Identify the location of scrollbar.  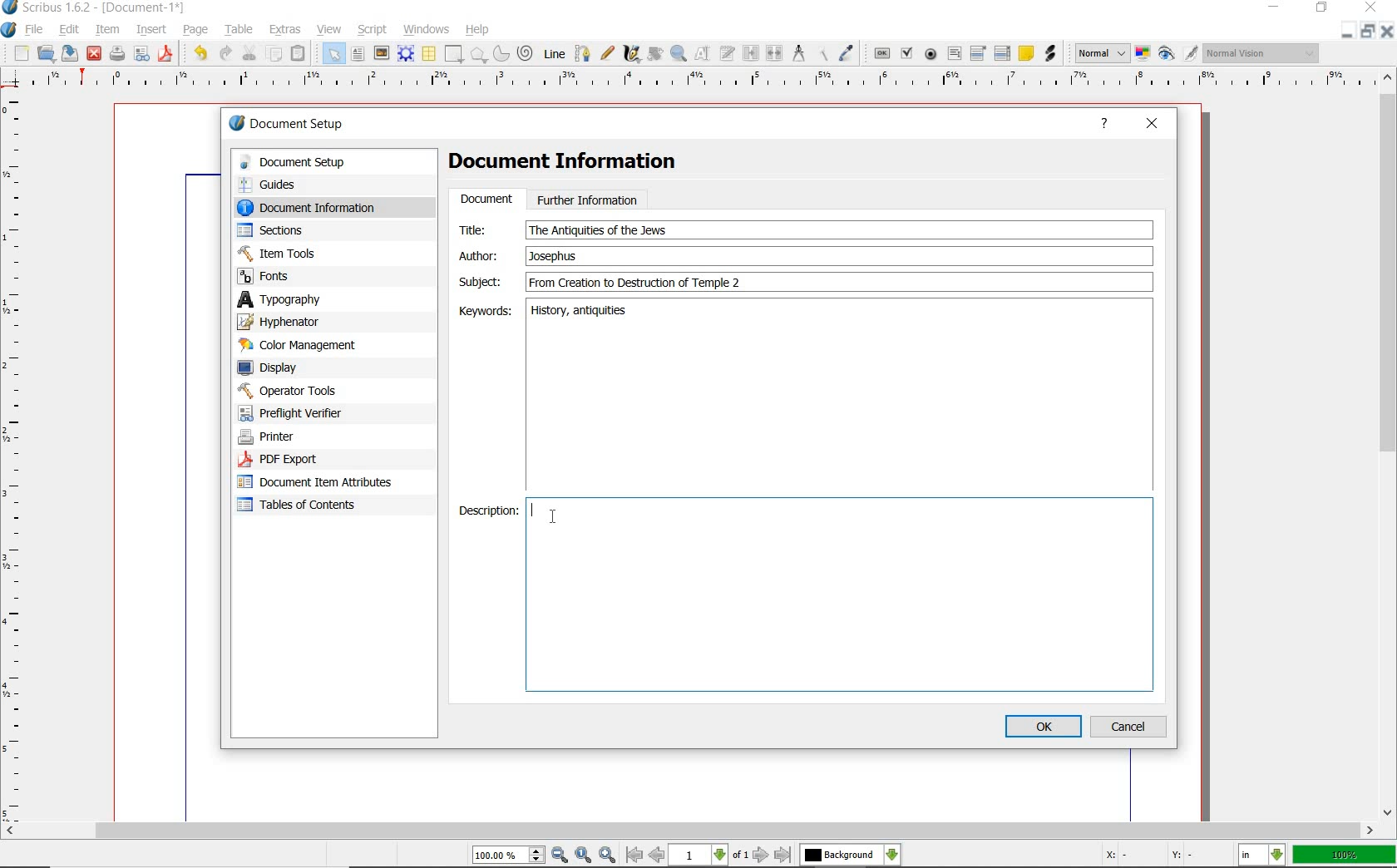
(689, 831).